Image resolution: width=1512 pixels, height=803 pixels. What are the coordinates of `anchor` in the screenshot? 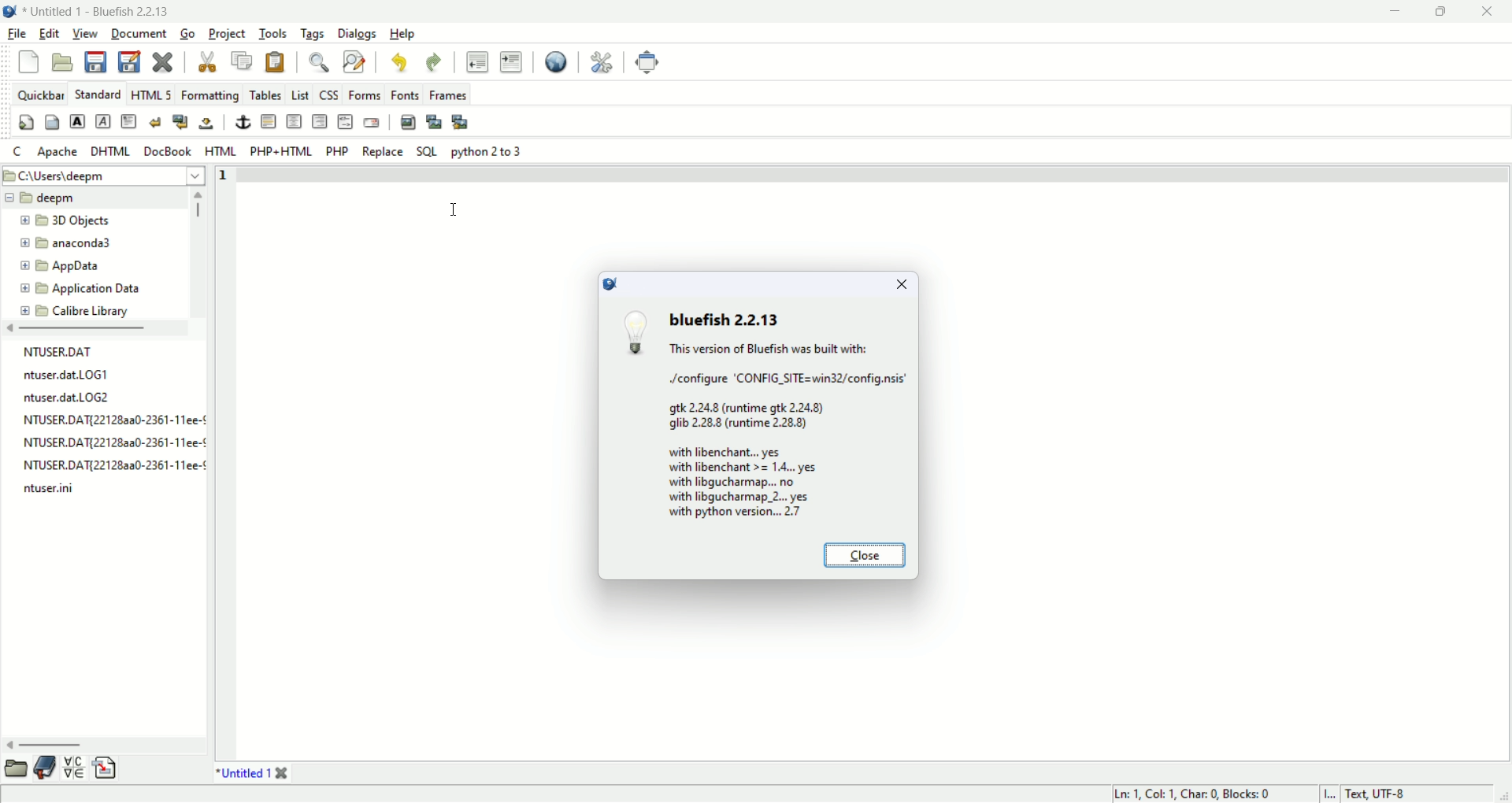 It's located at (243, 123).